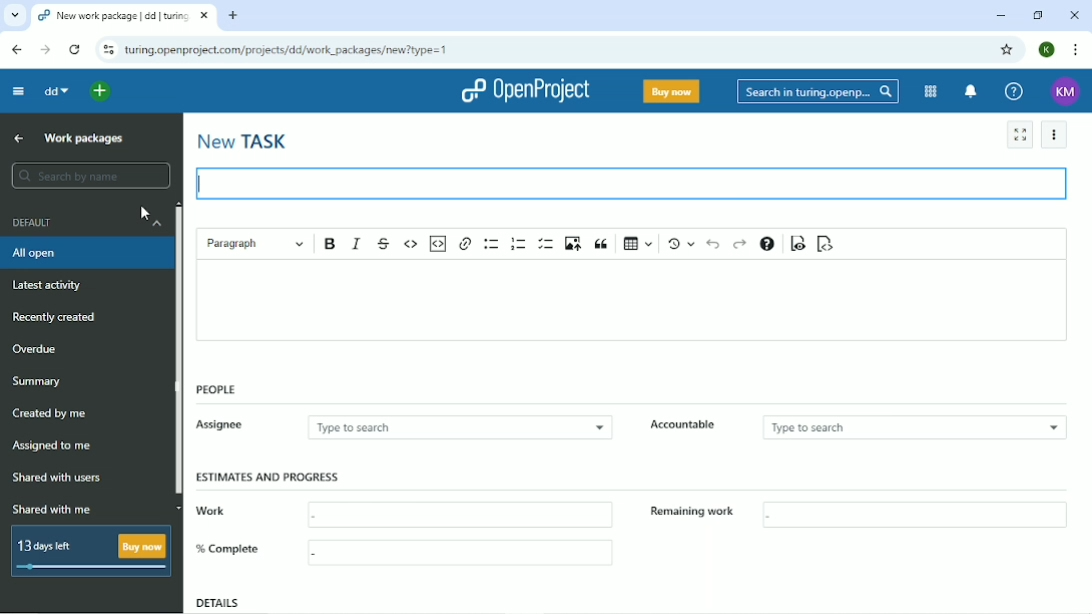 The height and width of the screenshot is (614, 1092). Describe the element at coordinates (1007, 50) in the screenshot. I see `Bookmark this tab` at that location.